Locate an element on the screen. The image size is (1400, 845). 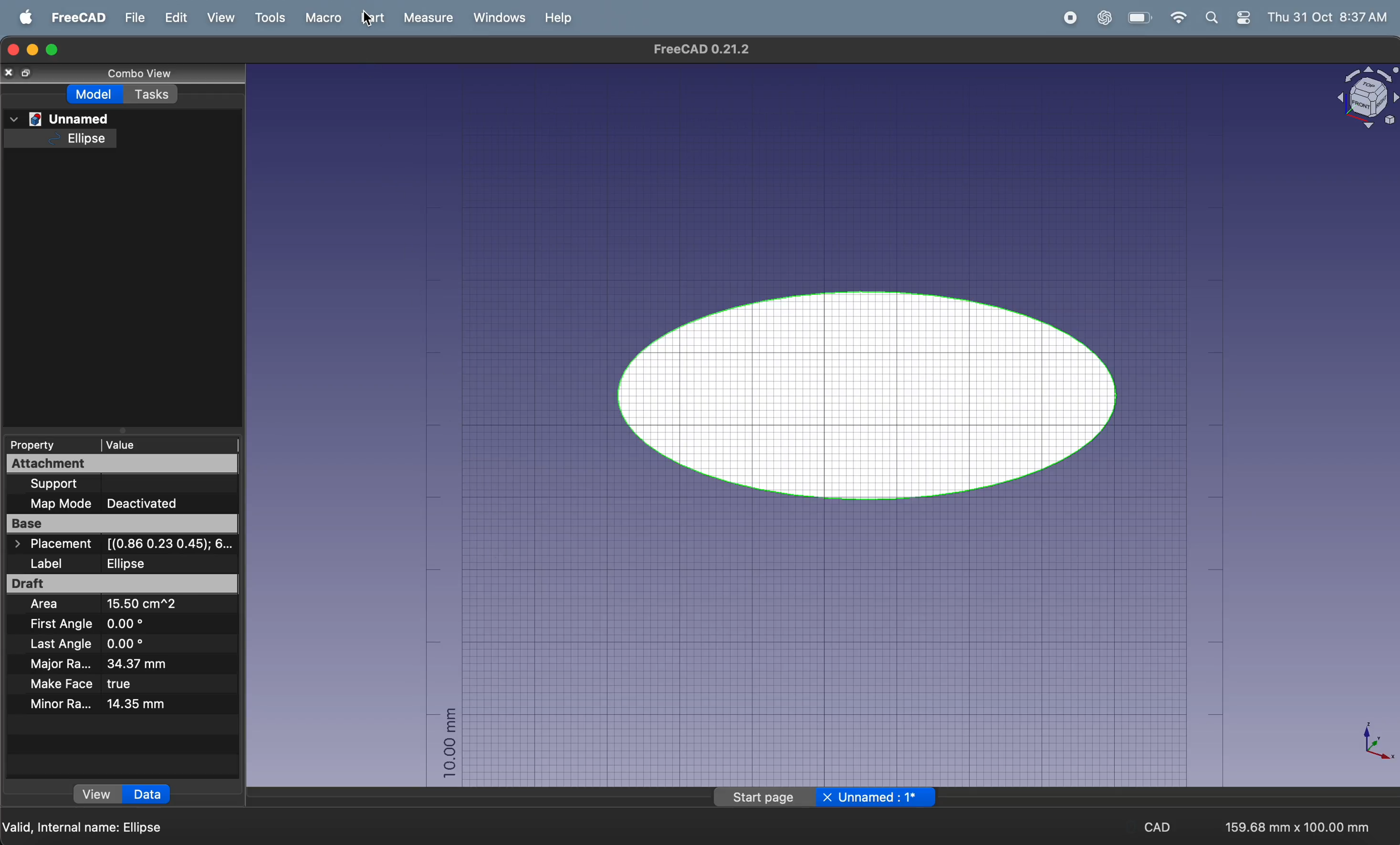
10.00mm is located at coordinates (446, 744).